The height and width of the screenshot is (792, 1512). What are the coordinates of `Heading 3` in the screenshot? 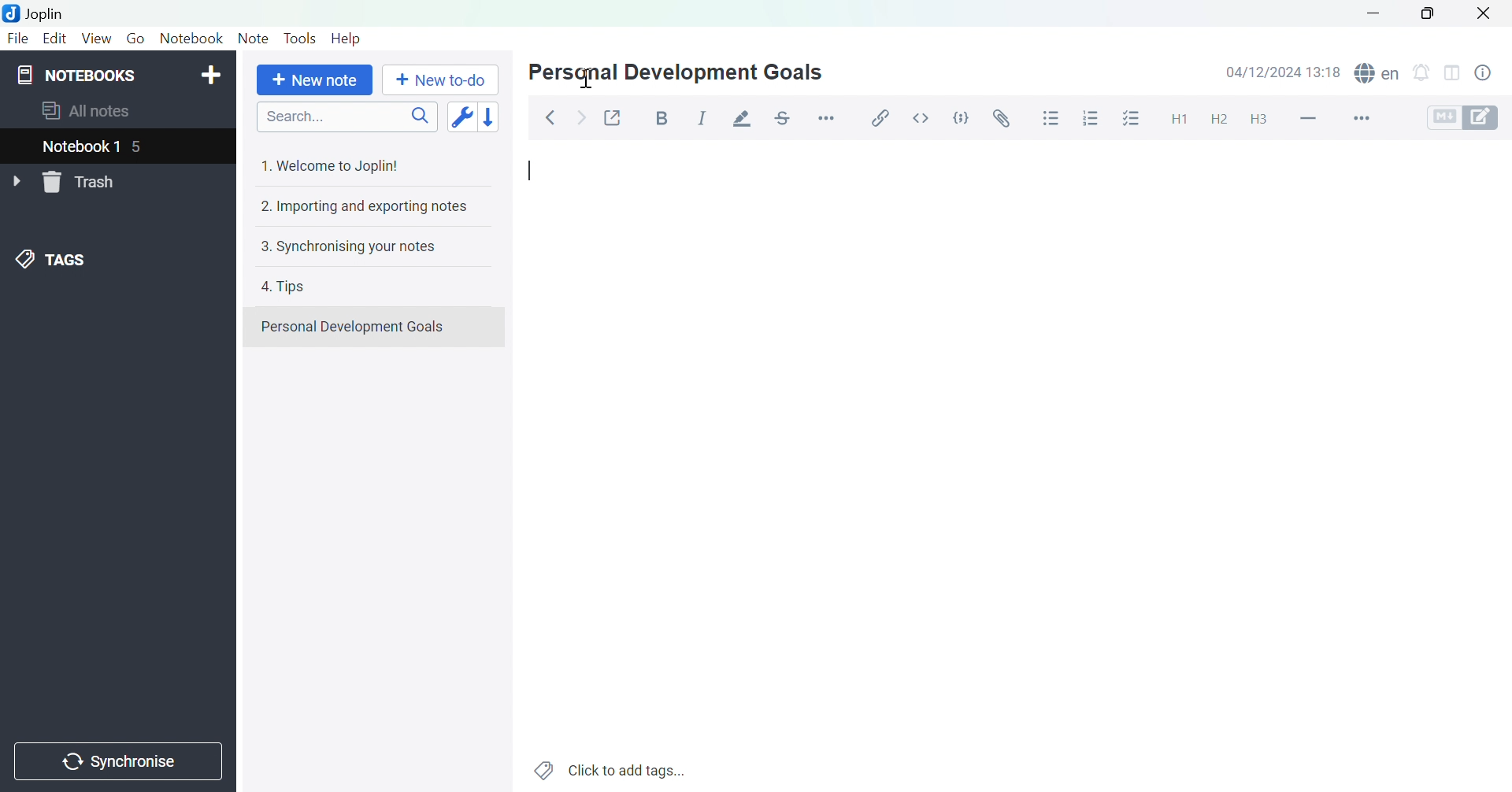 It's located at (1258, 120).